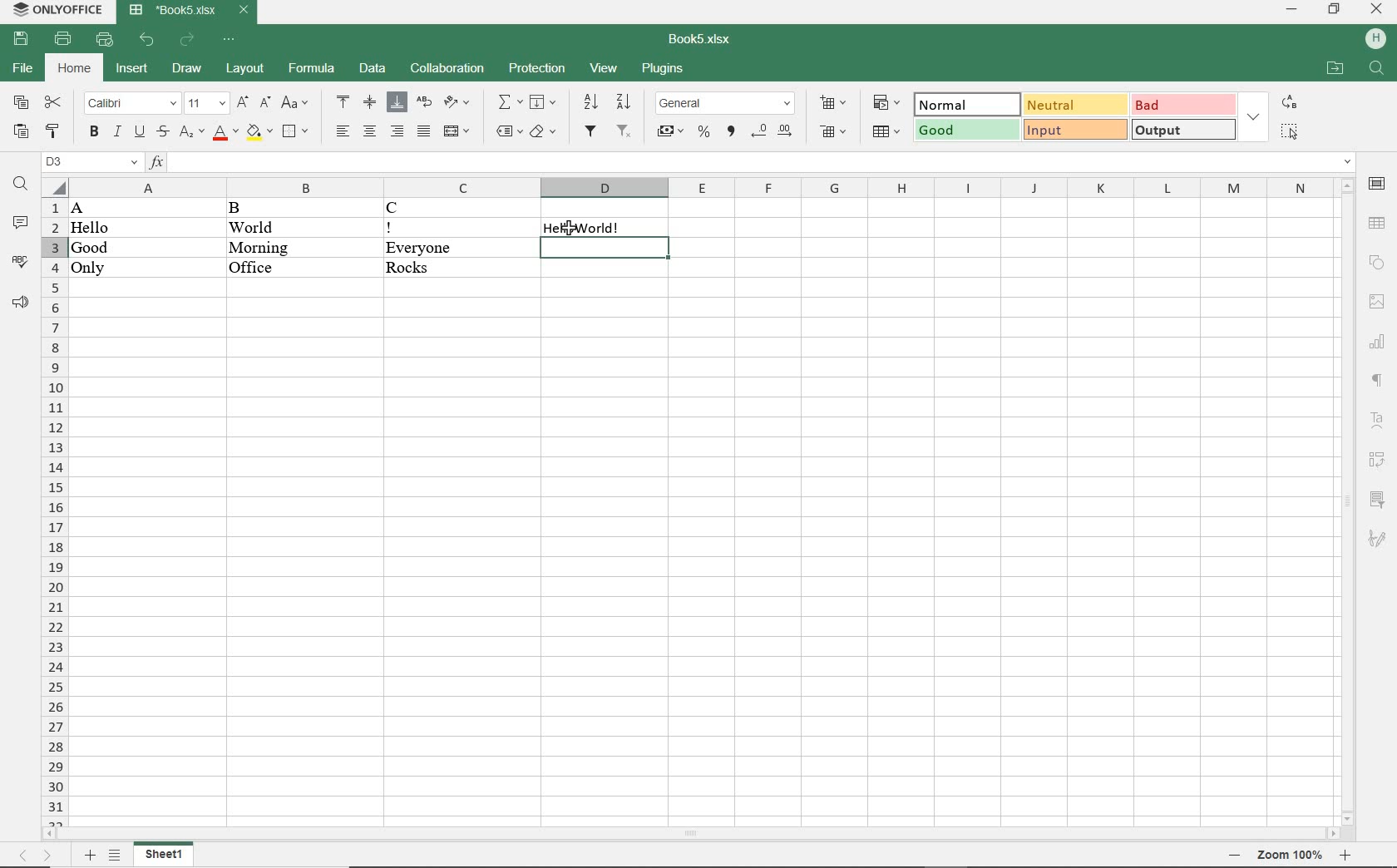 The width and height of the screenshot is (1397, 868). I want to click on ALIGN CENTER, so click(371, 131).